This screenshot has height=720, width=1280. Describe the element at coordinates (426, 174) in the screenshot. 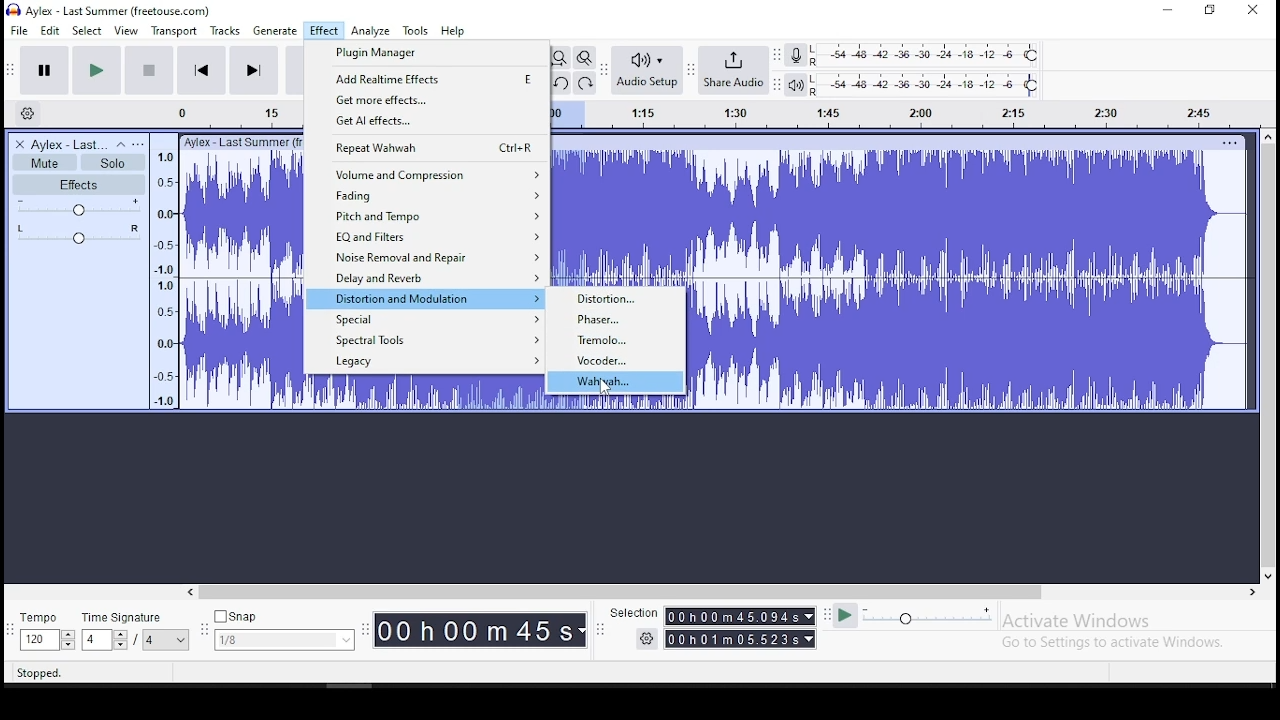

I see `volume and compression` at that location.